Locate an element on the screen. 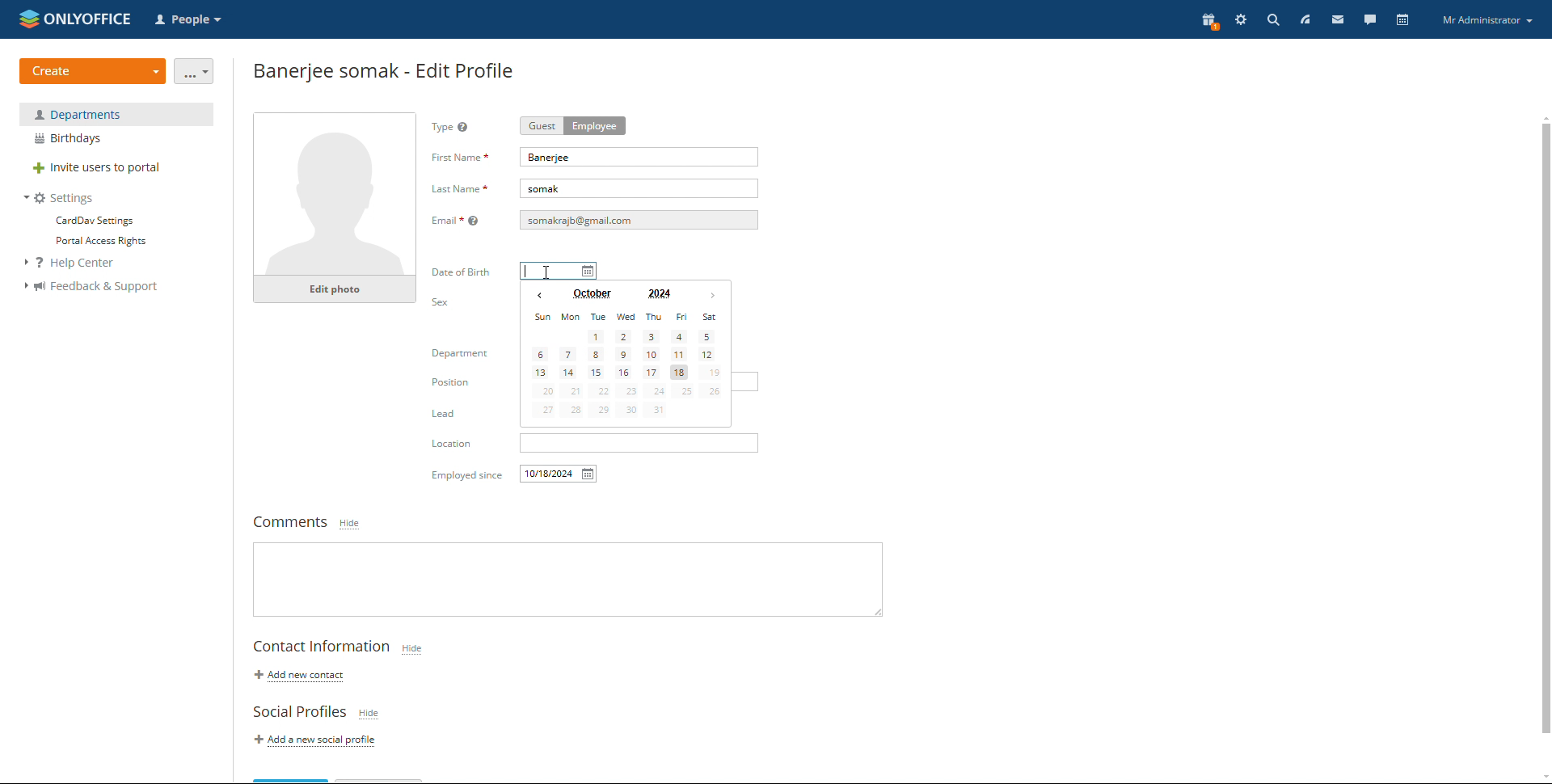  Last Name * is located at coordinates (459, 191).